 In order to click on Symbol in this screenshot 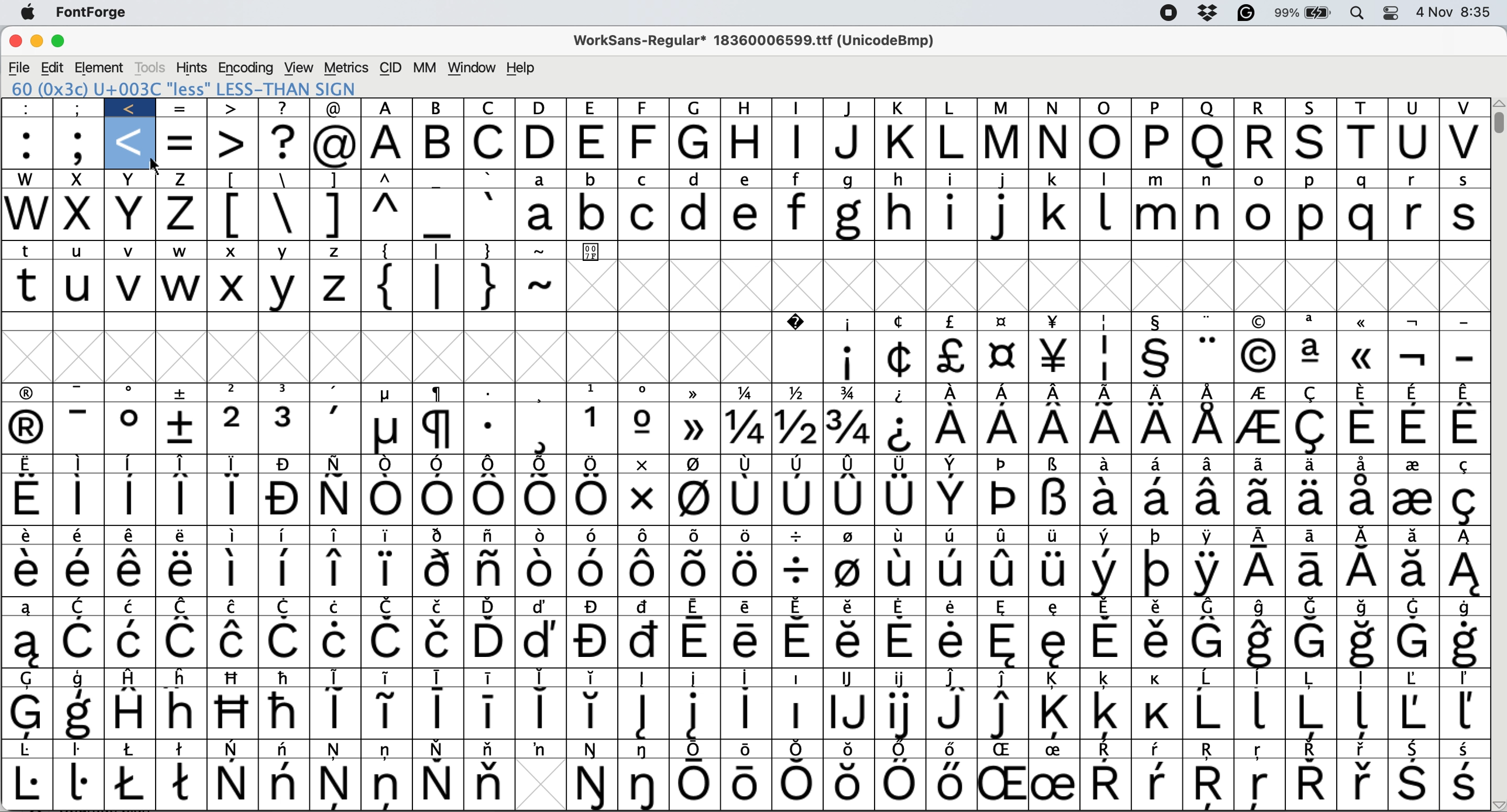, I will do `click(1210, 356)`.